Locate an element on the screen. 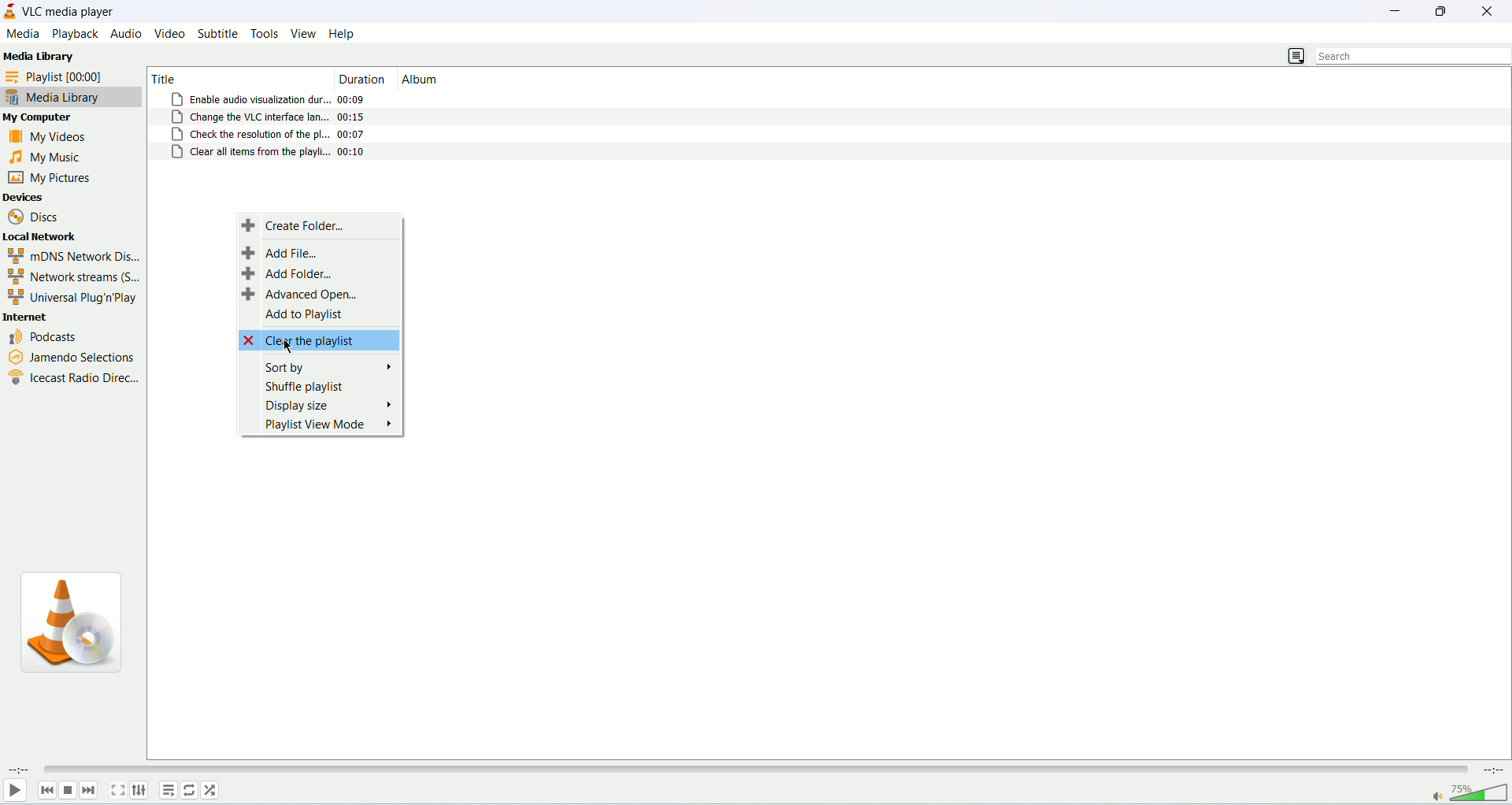 The height and width of the screenshot is (805, 1512). Media Library is located at coordinates (39, 54).